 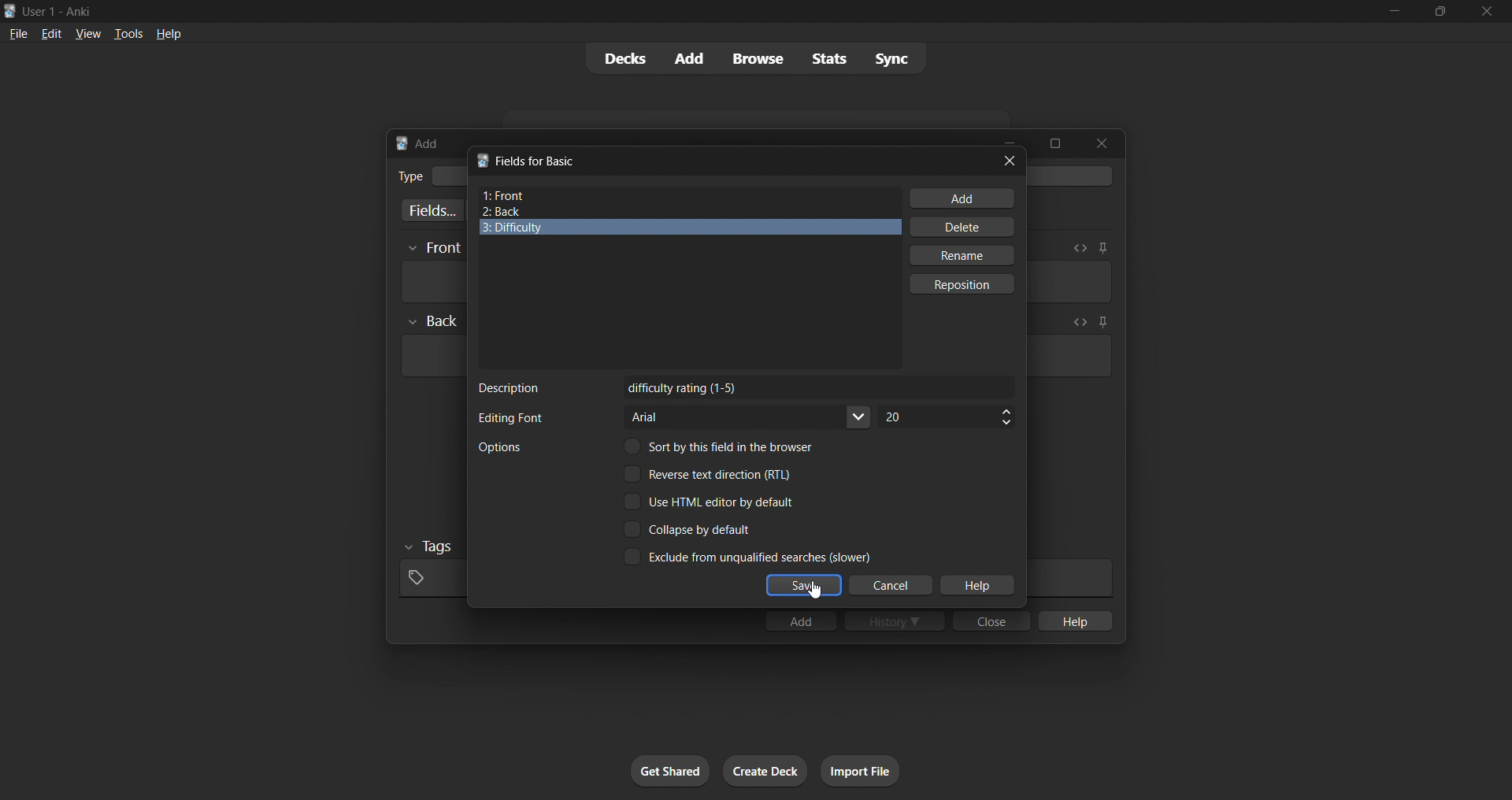 I want to click on add, so click(x=691, y=59).